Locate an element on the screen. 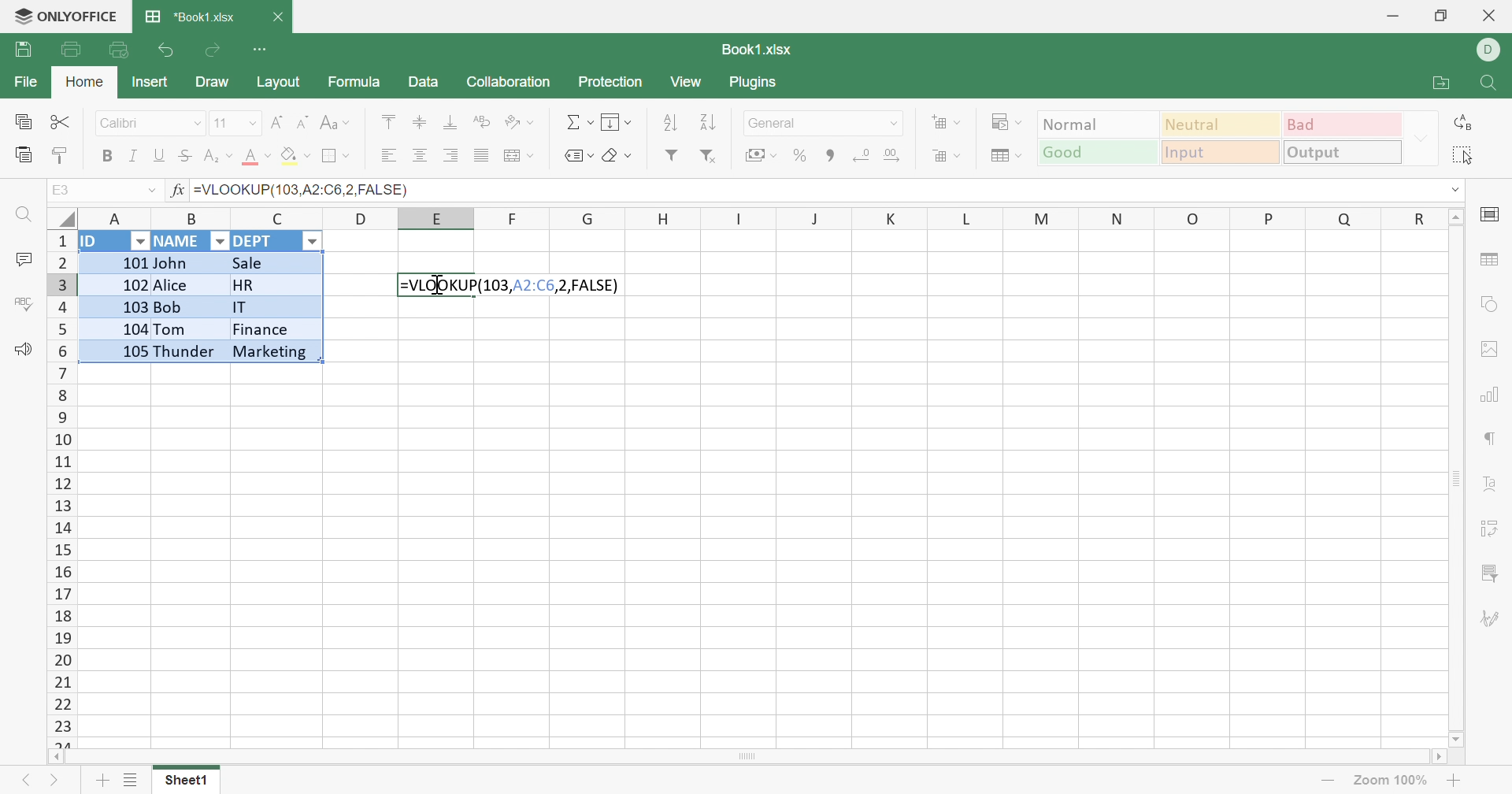 This screenshot has height=794, width=1512. Align Left is located at coordinates (388, 157).